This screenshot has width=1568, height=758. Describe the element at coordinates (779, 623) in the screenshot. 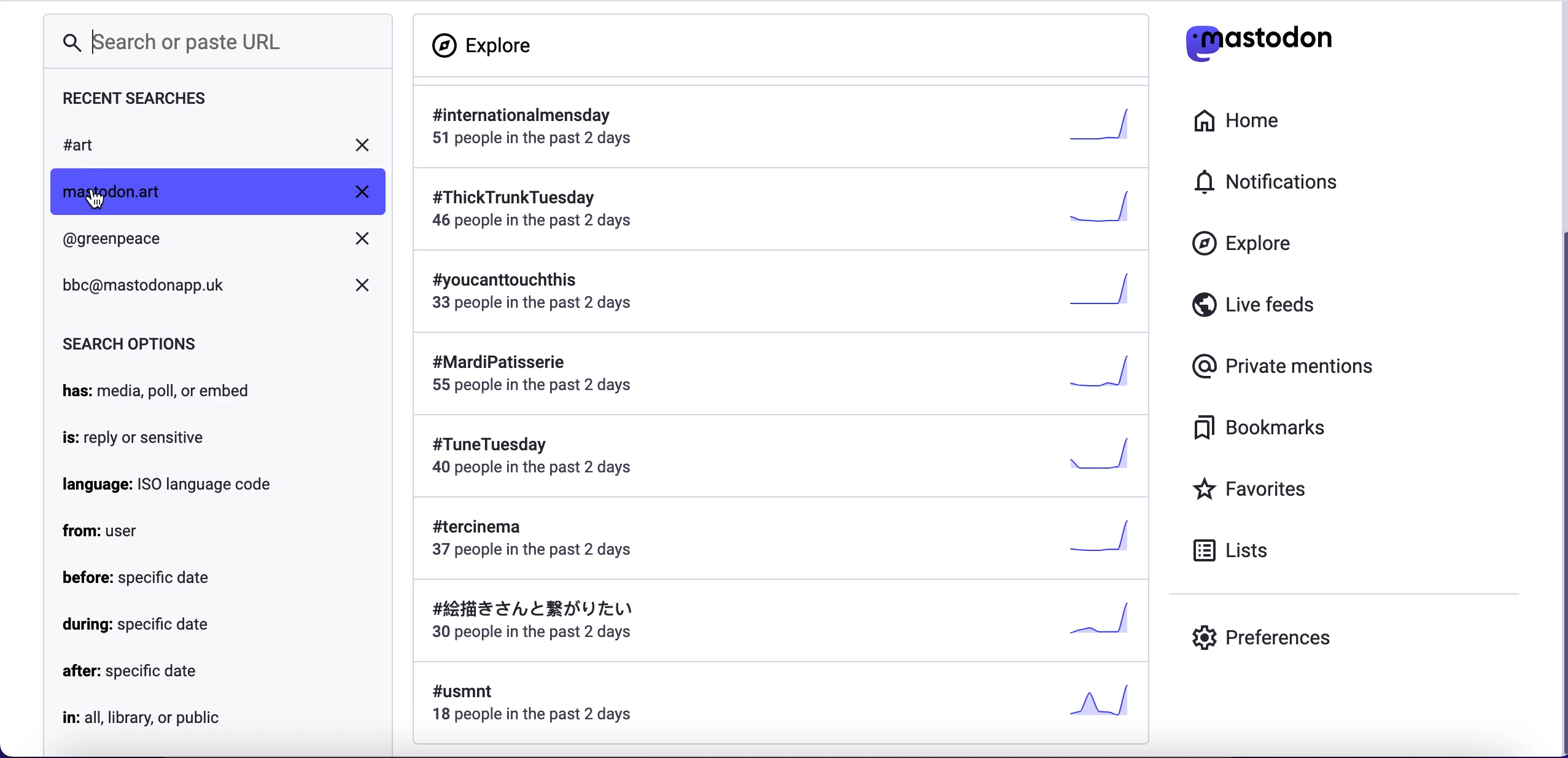

I see `Chinese trend` at that location.